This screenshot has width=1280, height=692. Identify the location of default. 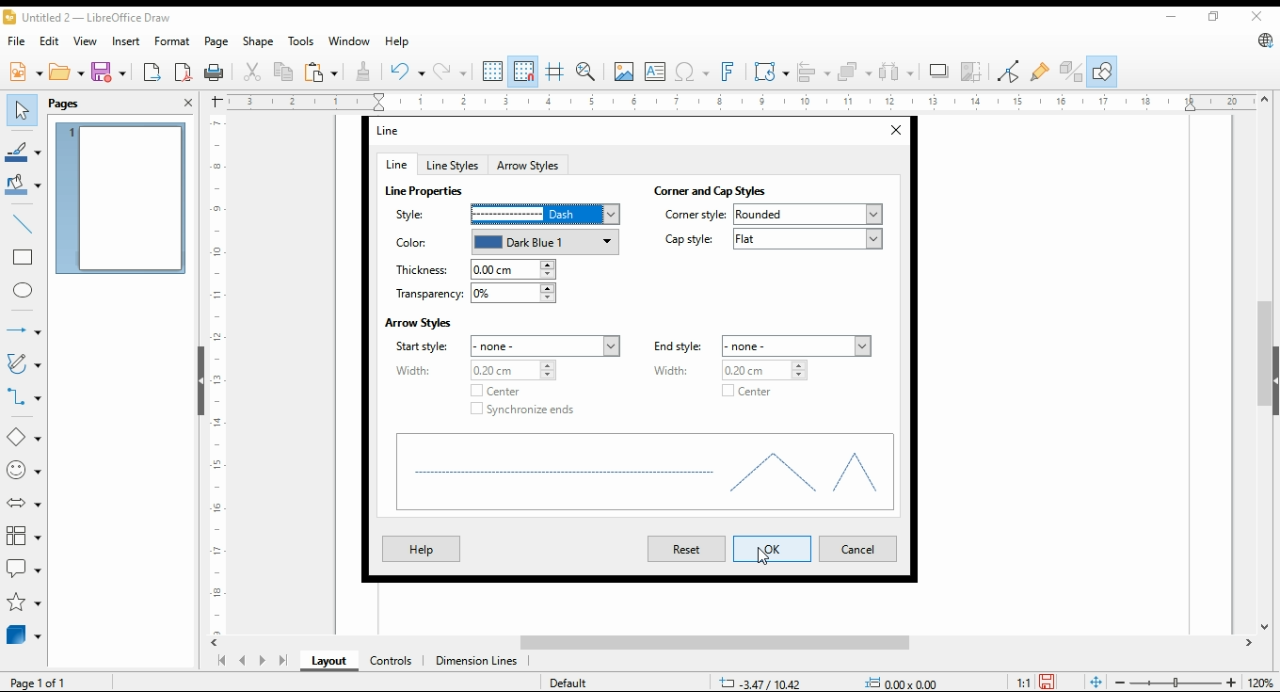
(567, 682).